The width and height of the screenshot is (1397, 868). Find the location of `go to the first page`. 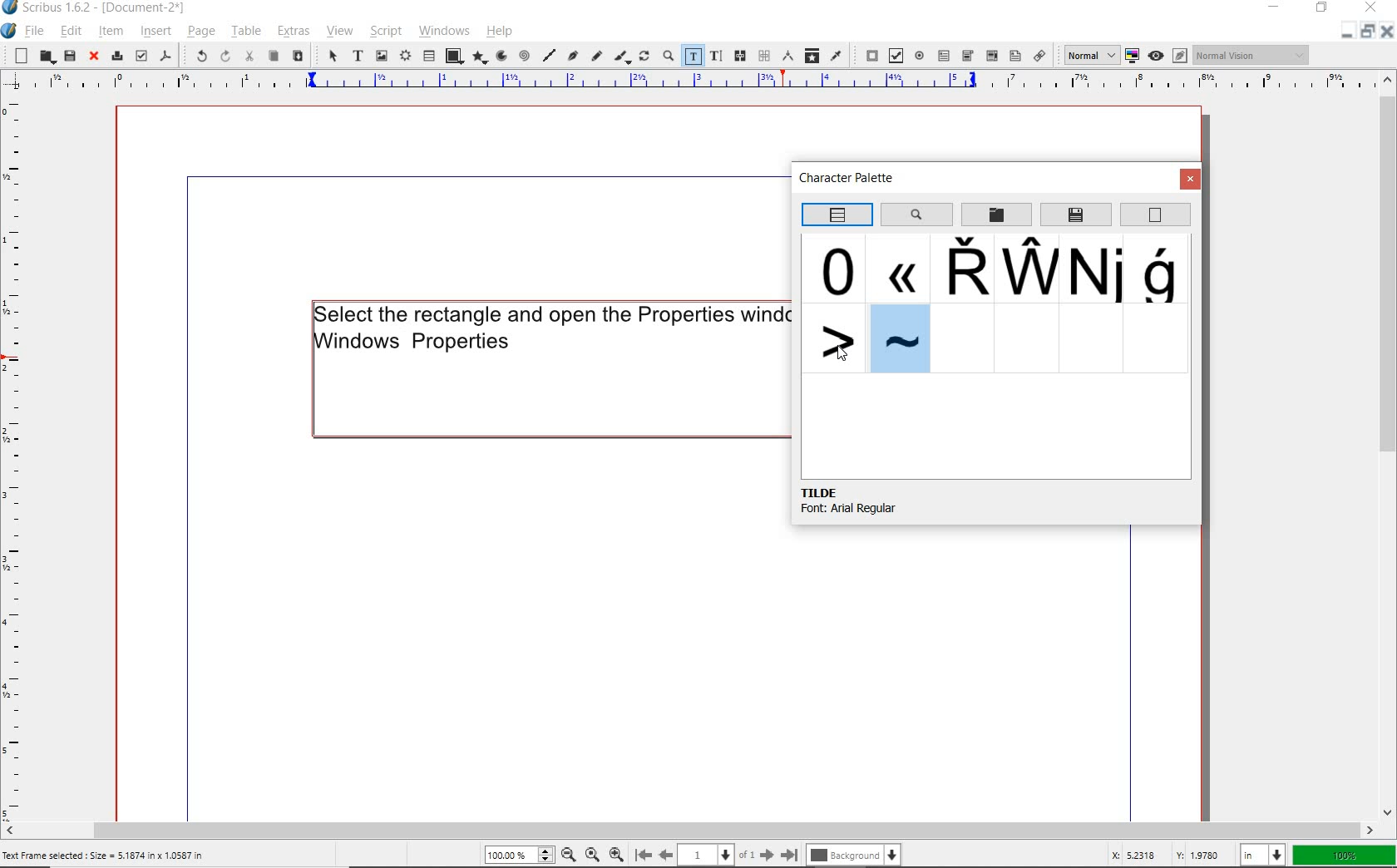

go to the first page is located at coordinates (642, 854).